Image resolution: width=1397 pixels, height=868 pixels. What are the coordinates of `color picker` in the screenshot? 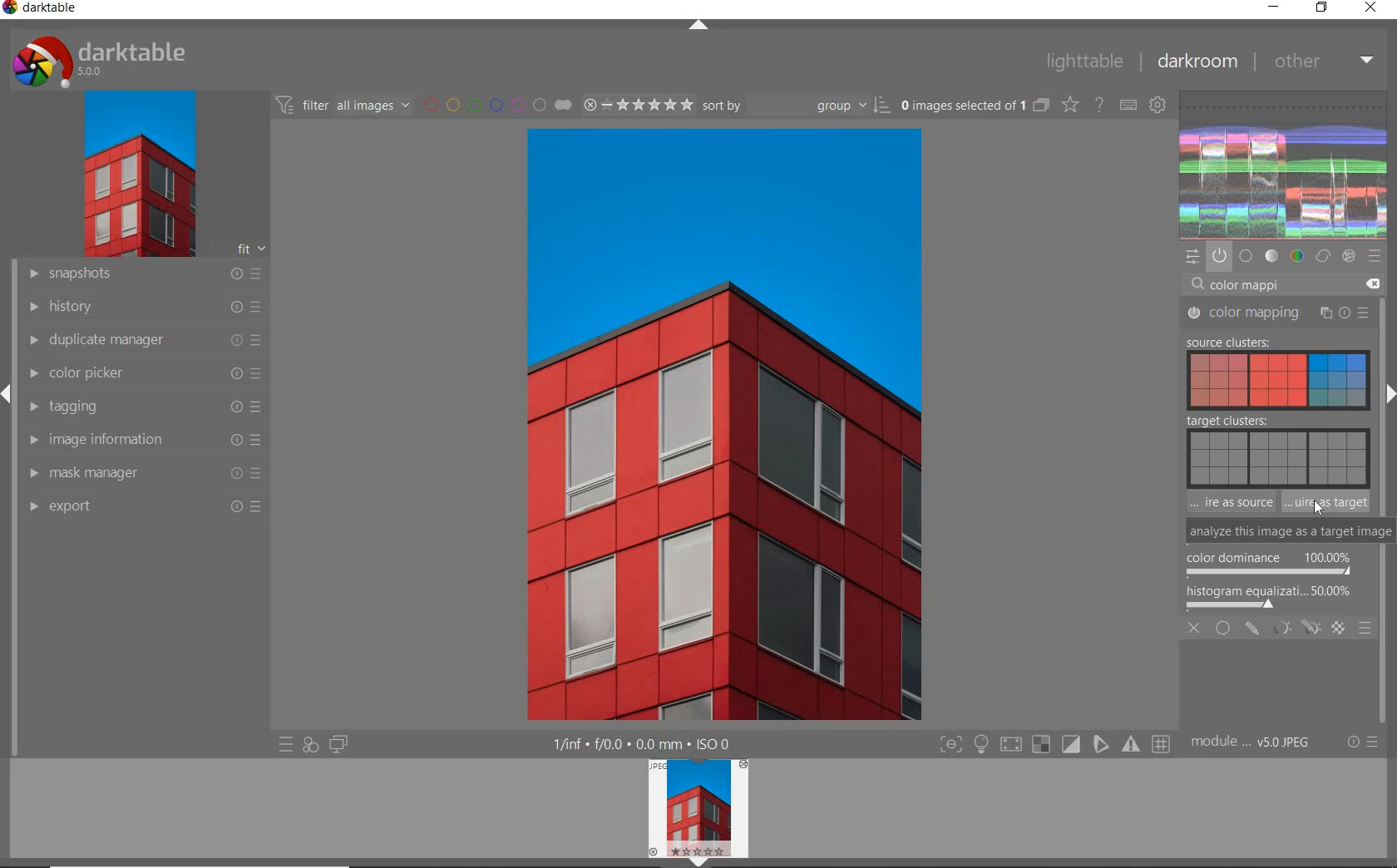 It's located at (144, 373).